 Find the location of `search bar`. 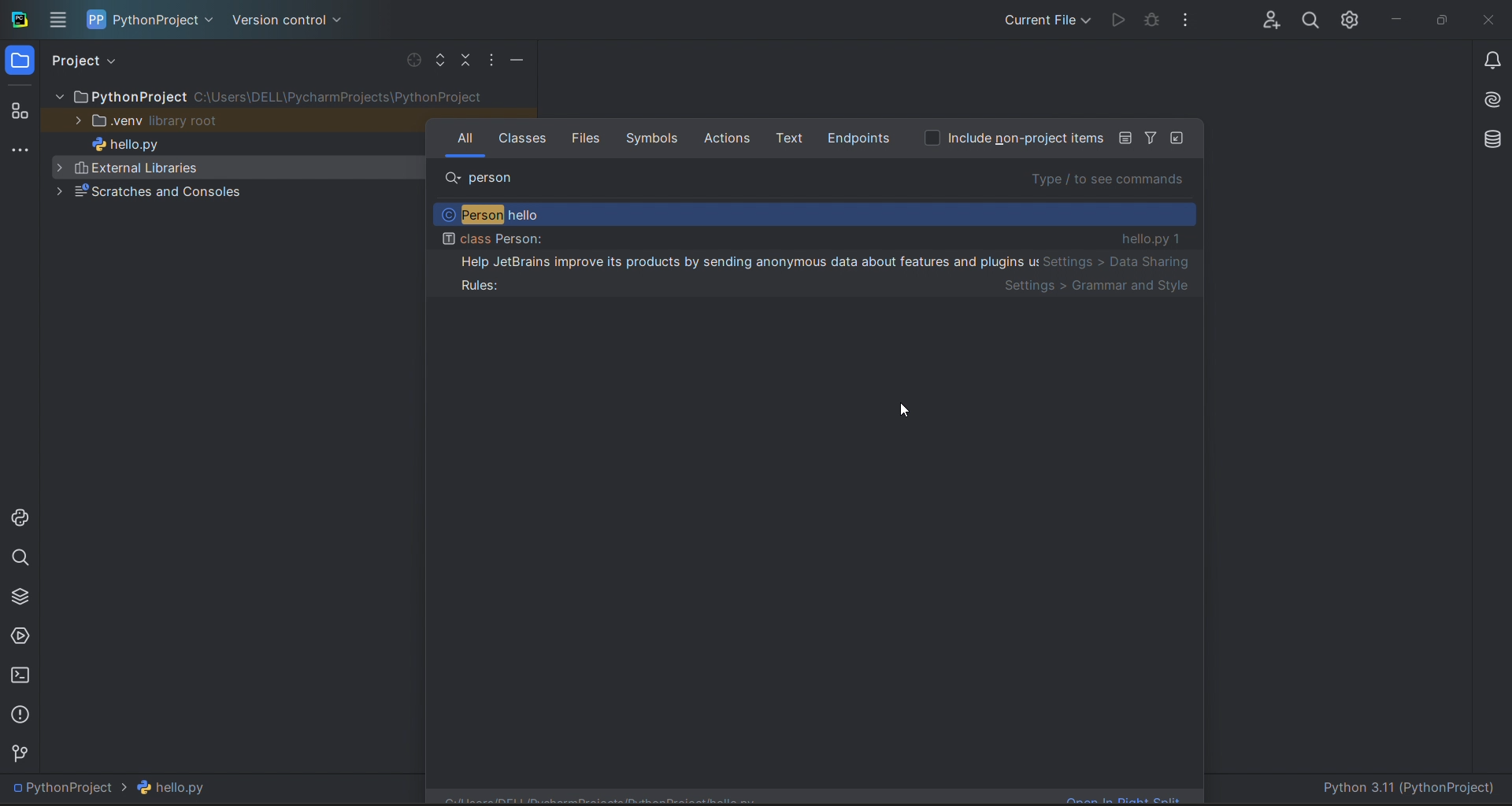

search bar is located at coordinates (813, 179).